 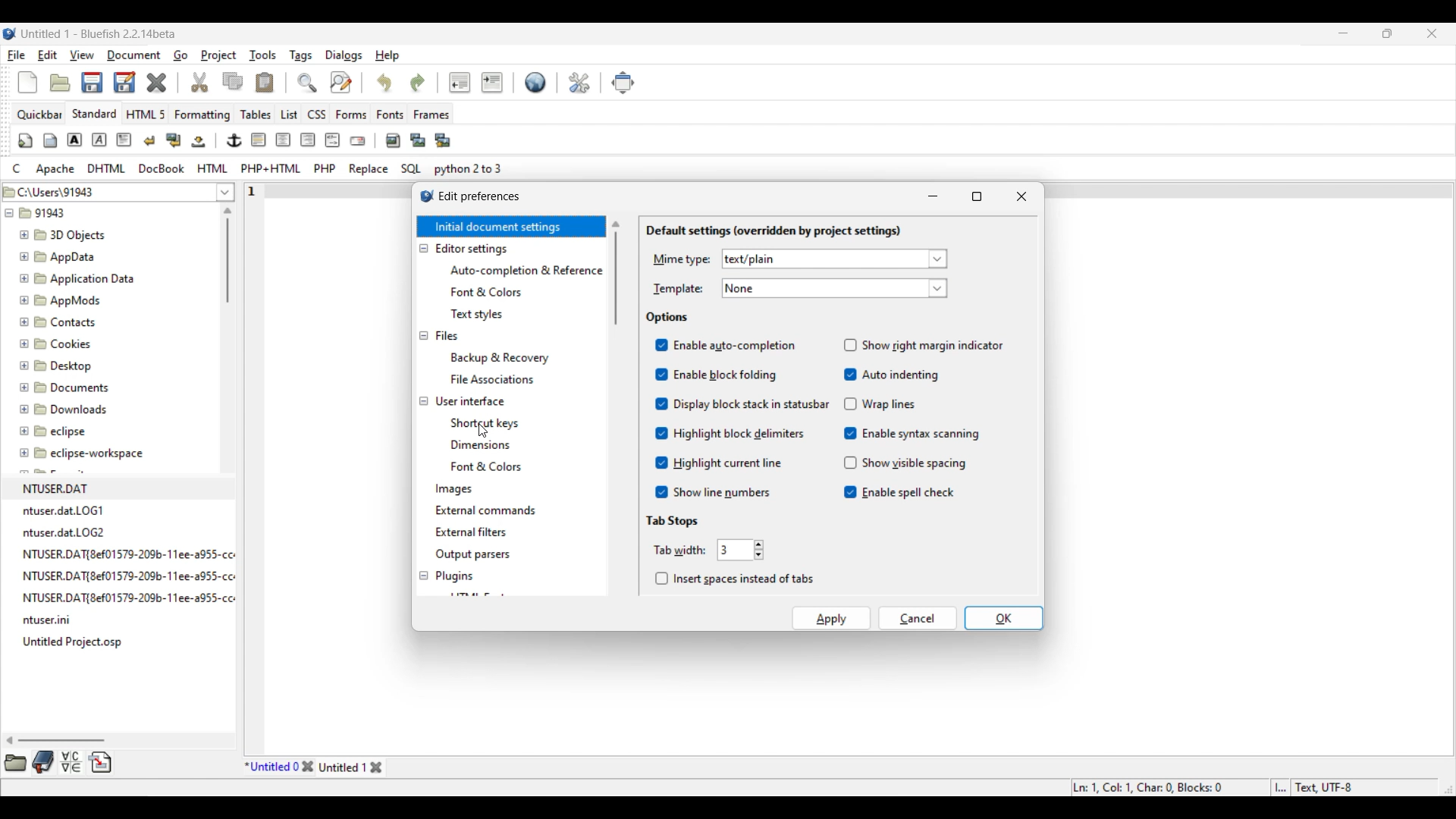 I want to click on Move, so click(x=623, y=83).